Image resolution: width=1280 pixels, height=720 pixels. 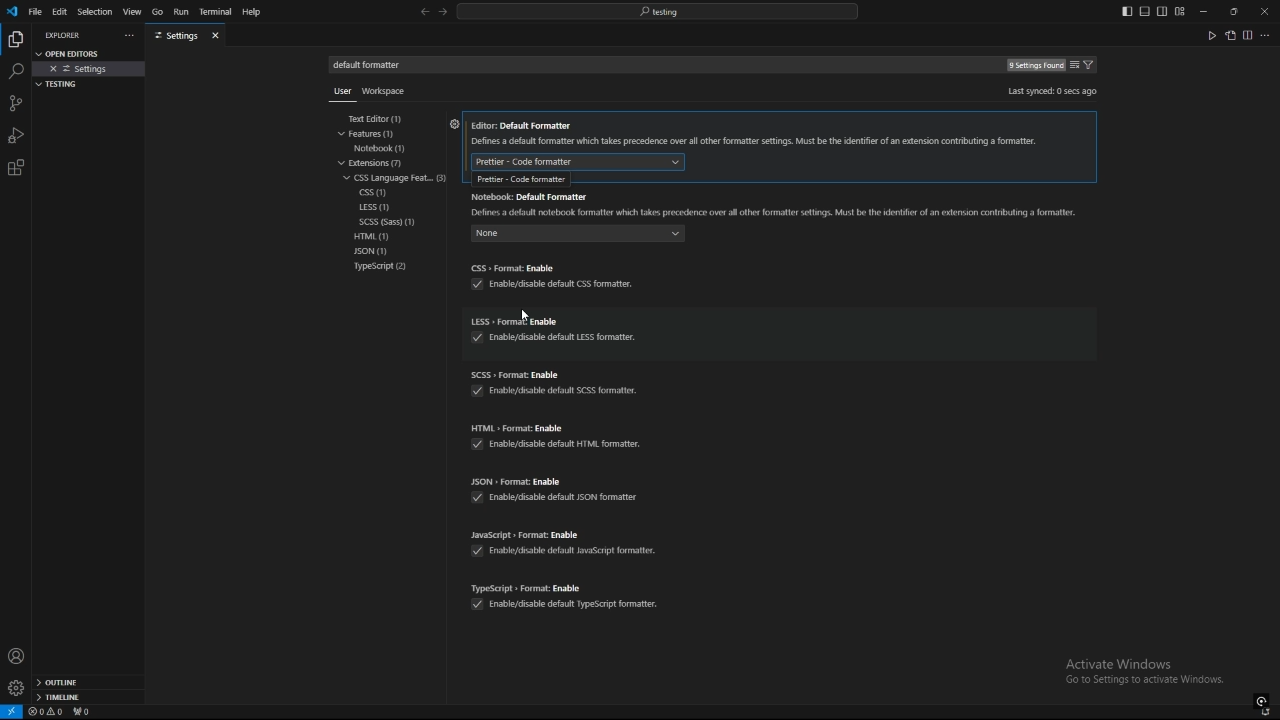 I want to click on more actions, so click(x=127, y=36).